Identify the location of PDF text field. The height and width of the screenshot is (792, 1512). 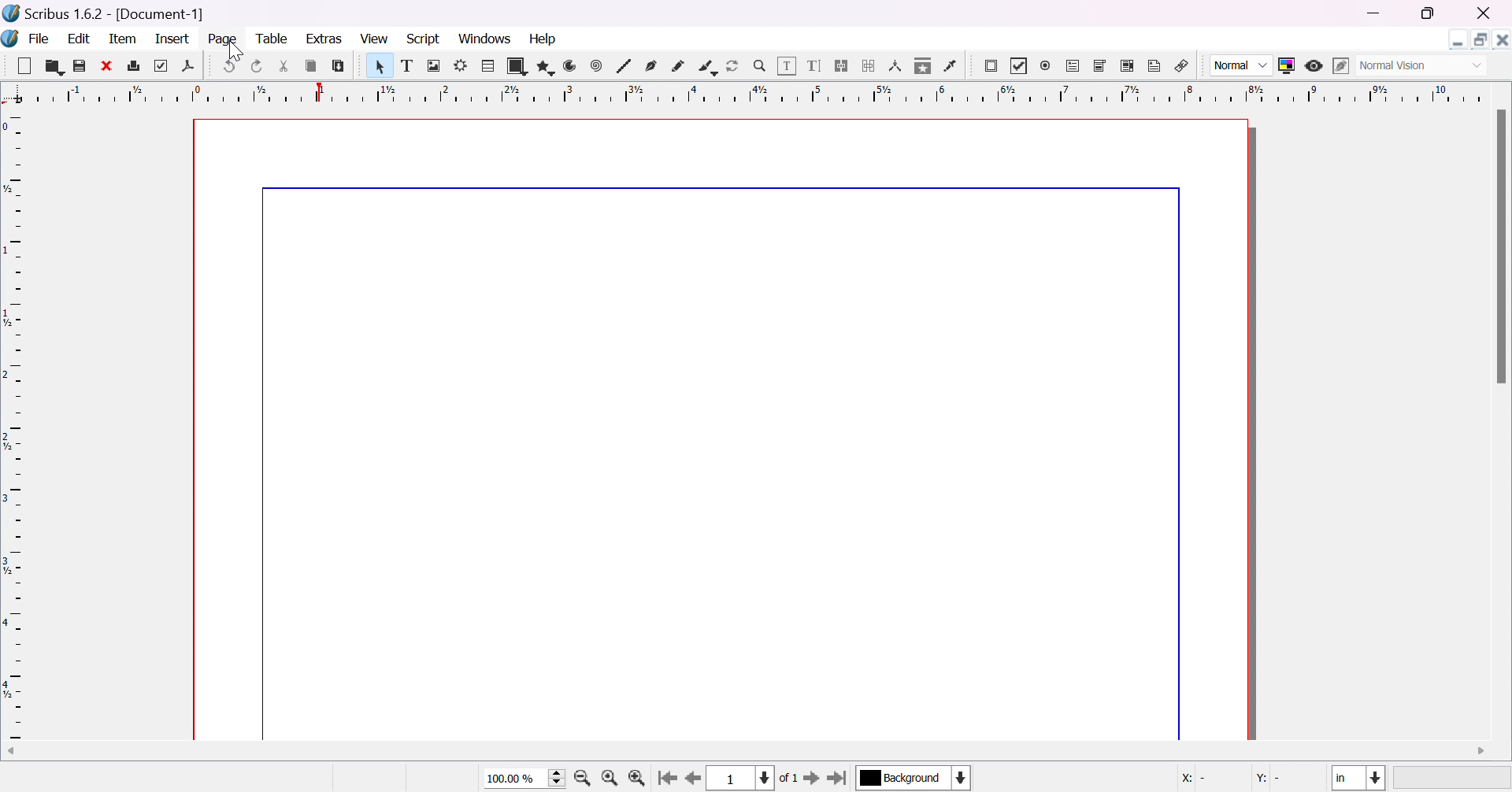
(1075, 67).